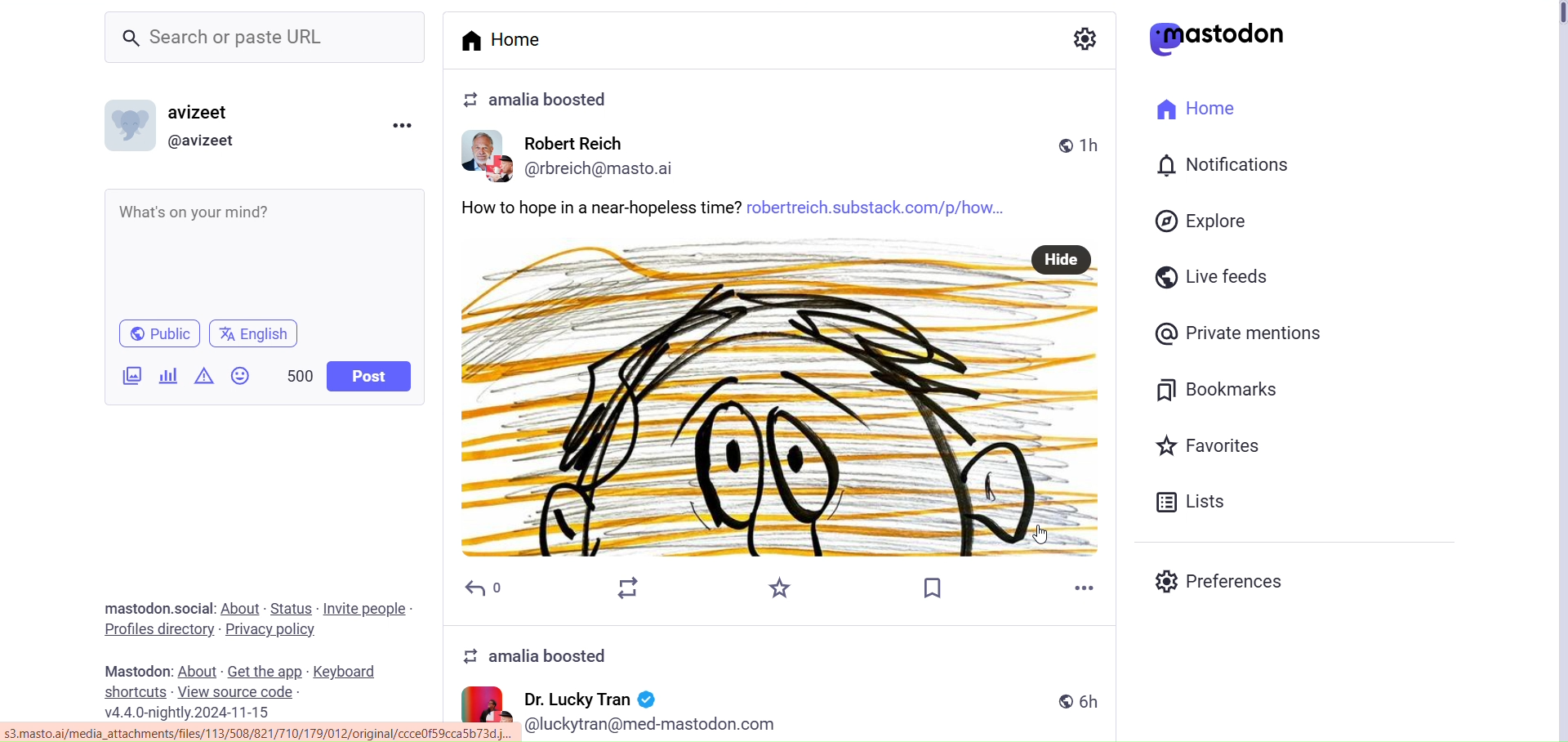 This screenshot has height=742, width=1568. What do you see at coordinates (1080, 36) in the screenshot?
I see `setting` at bounding box center [1080, 36].